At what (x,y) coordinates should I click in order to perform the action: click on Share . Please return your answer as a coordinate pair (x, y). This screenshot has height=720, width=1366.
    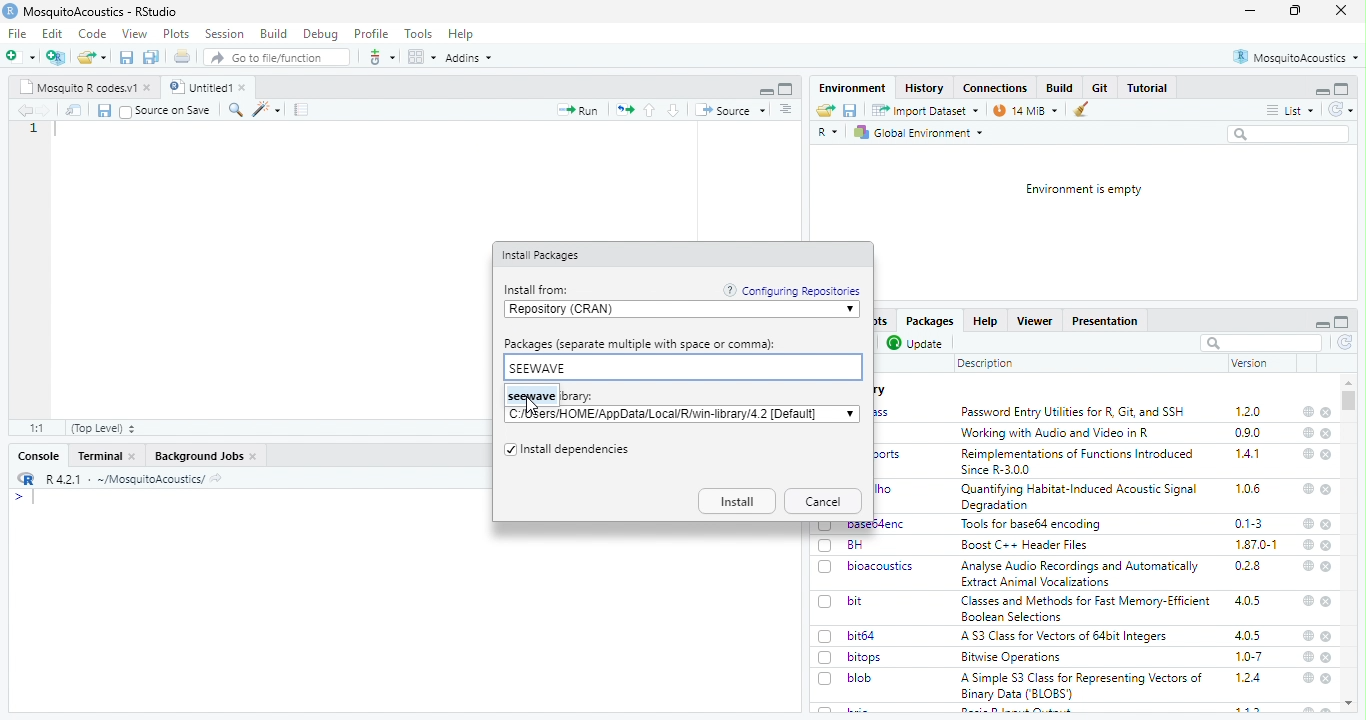
    Looking at the image, I should click on (74, 110).